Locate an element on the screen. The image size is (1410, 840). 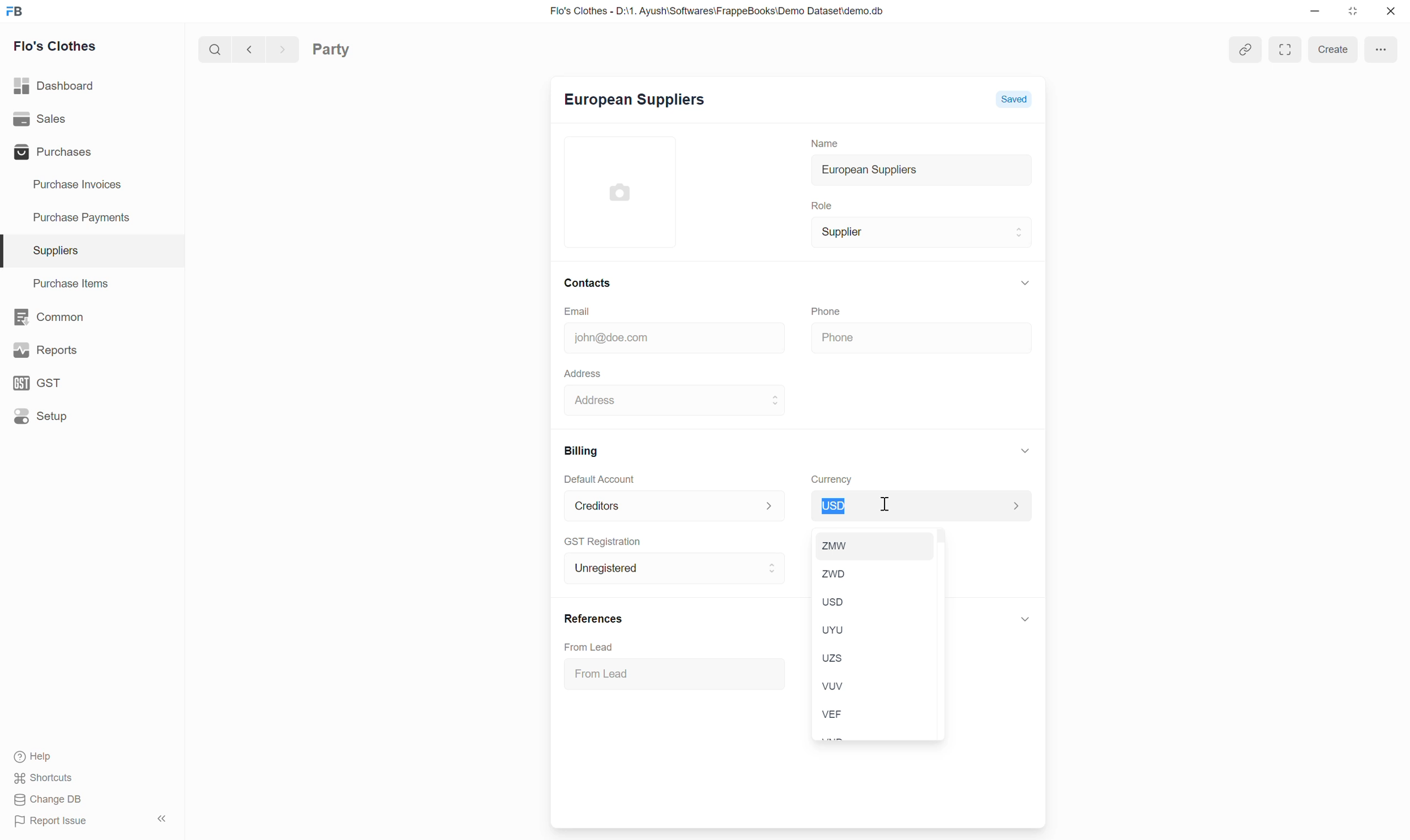
Purchases is located at coordinates (57, 148).